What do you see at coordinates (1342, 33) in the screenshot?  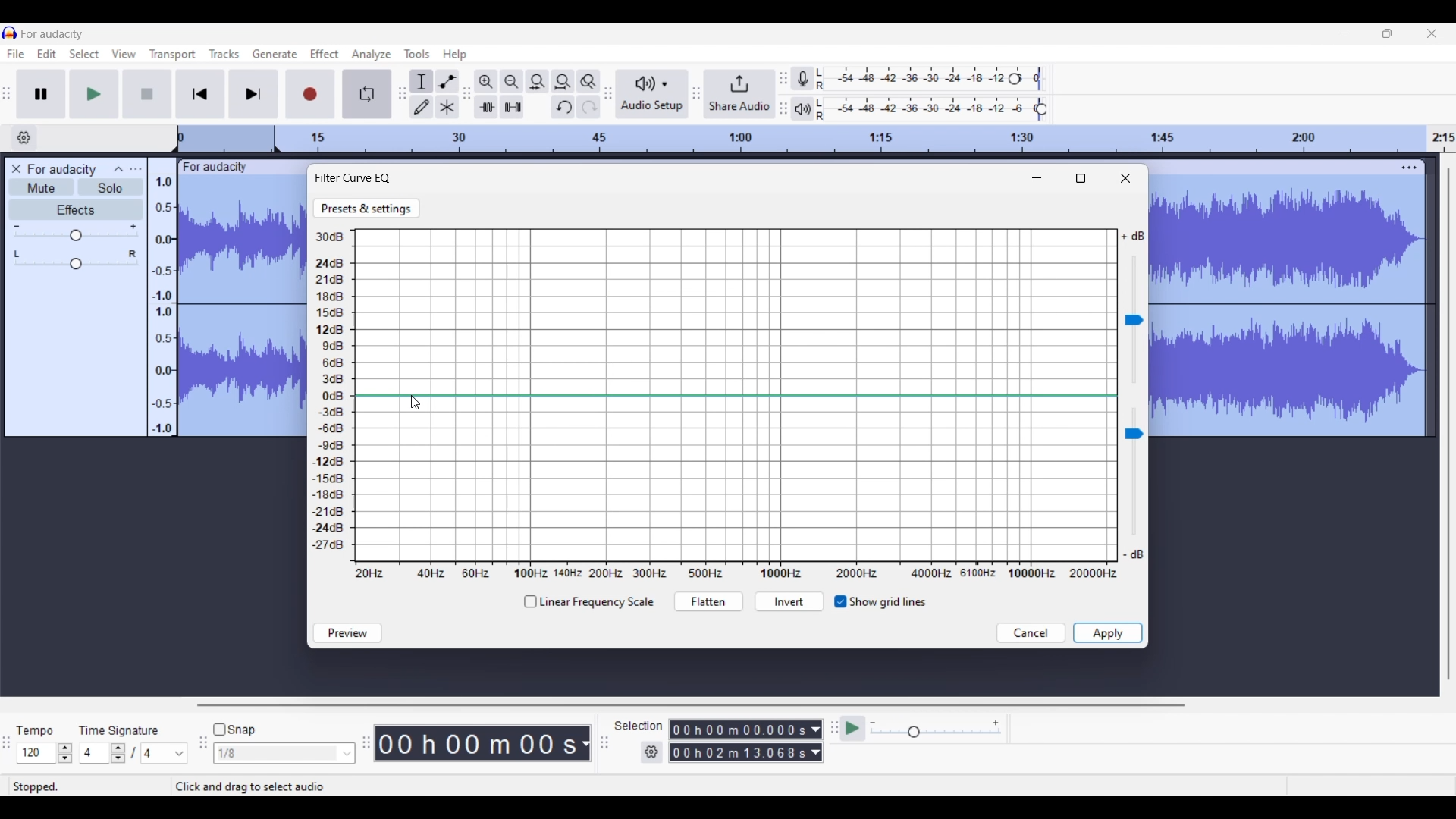 I see `Minimize` at bounding box center [1342, 33].